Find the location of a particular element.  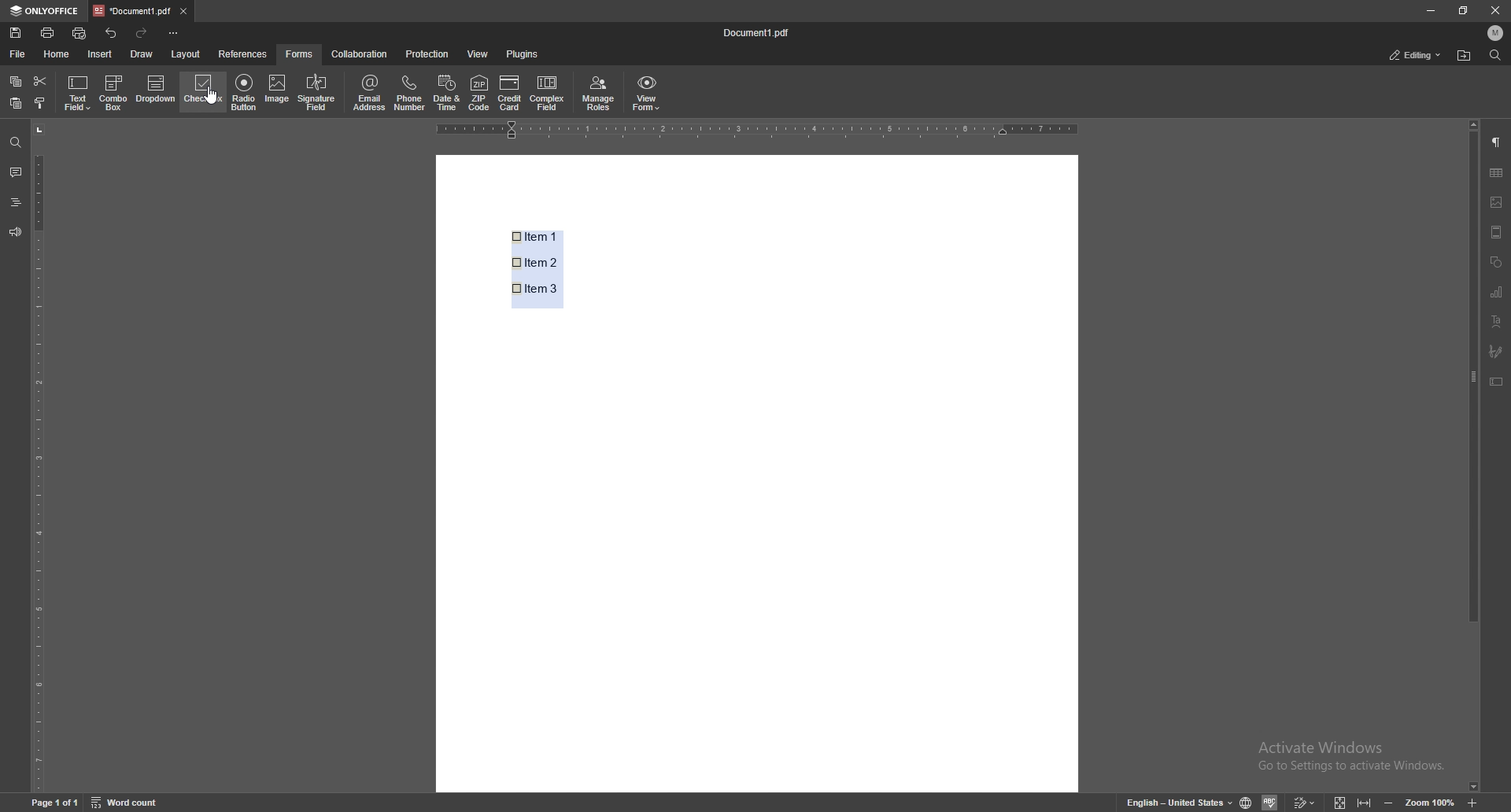

word count is located at coordinates (125, 802).